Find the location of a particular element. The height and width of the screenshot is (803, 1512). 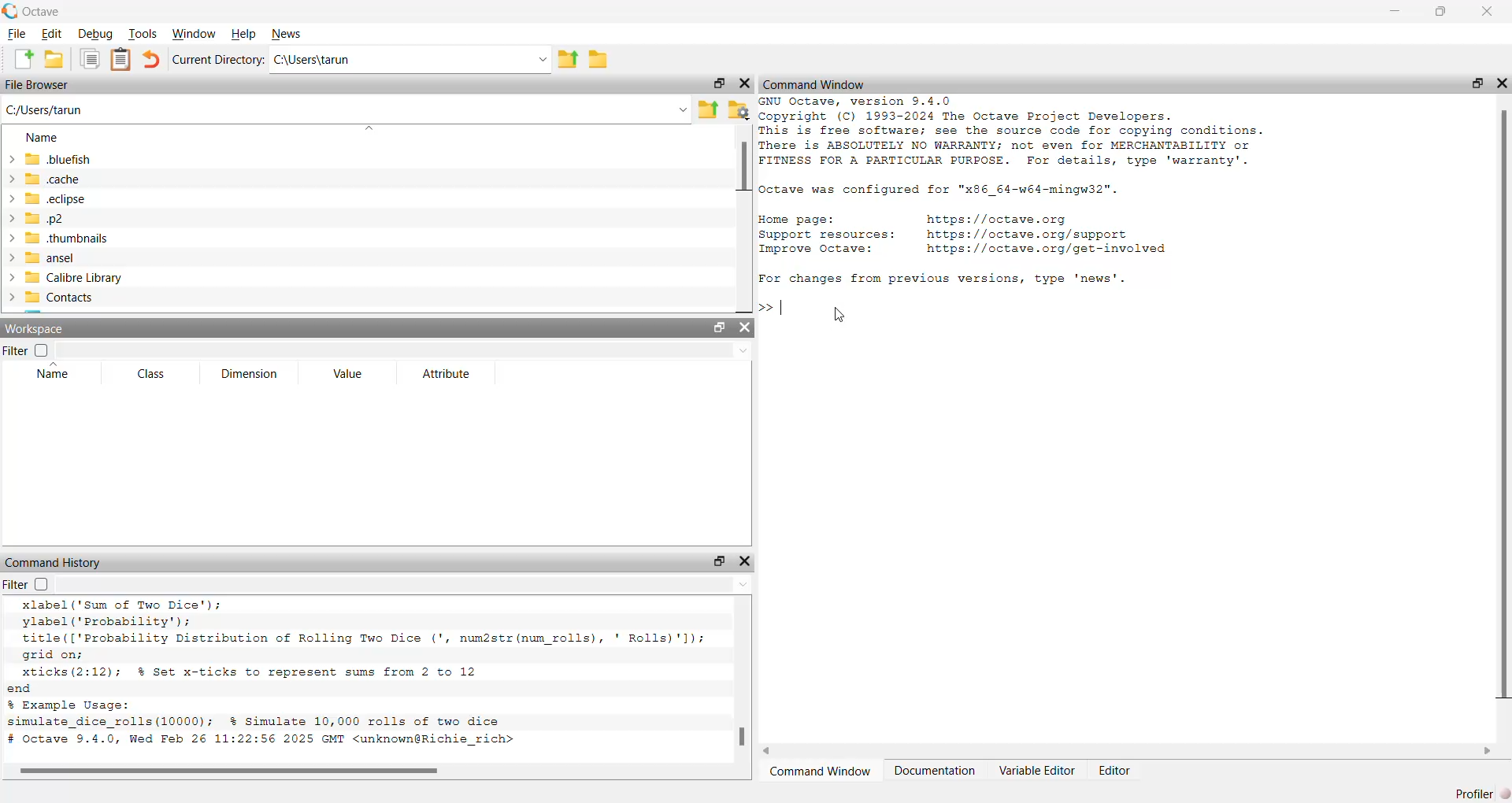

Windows is located at coordinates (194, 34).